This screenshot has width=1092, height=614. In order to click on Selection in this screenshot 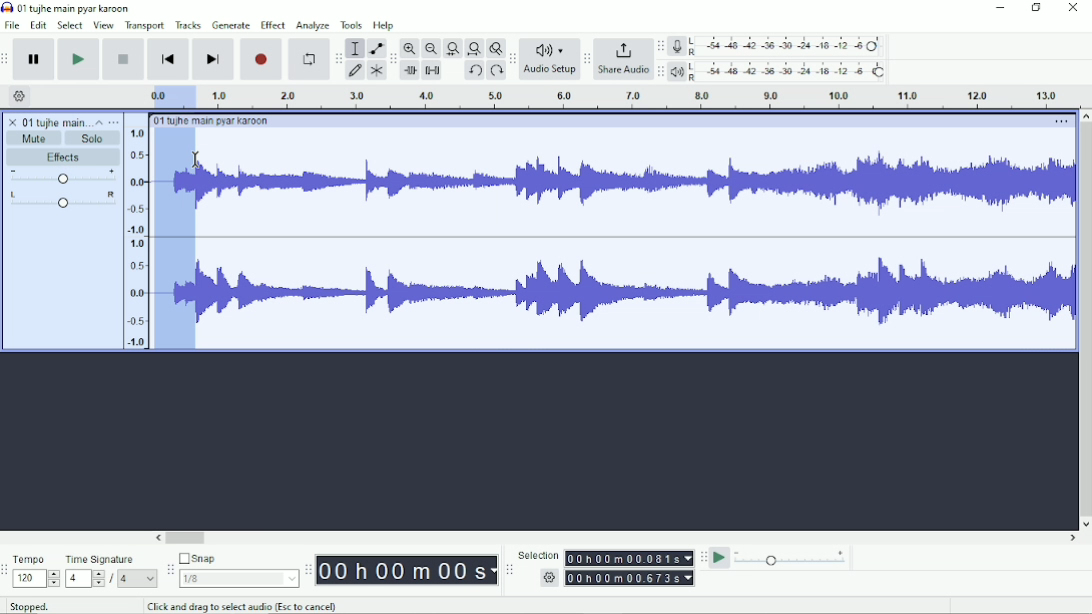, I will do `click(538, 555)`.